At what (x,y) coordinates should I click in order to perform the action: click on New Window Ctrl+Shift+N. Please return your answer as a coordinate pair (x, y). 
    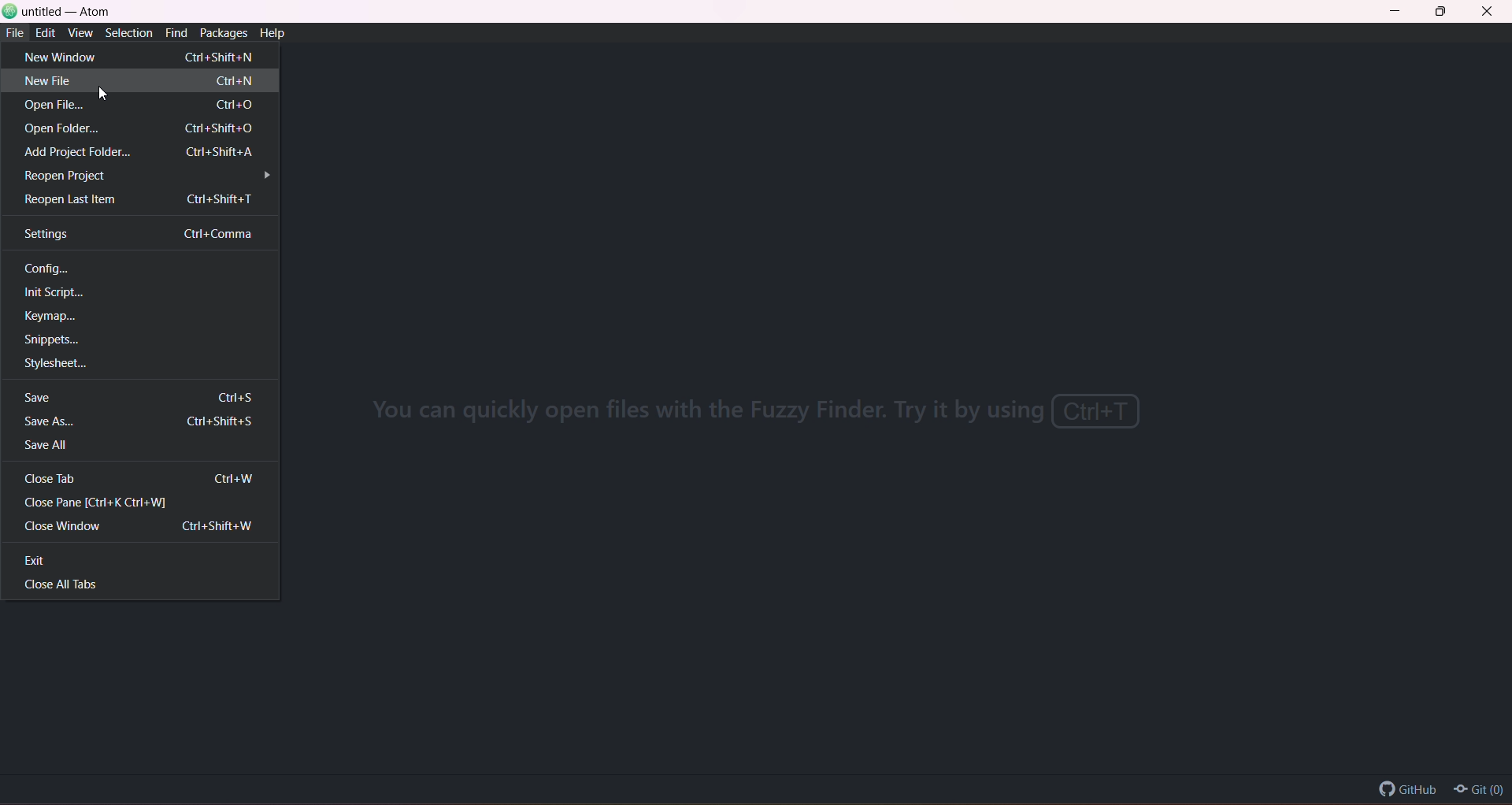
    Looking at the image, I should click on (144, 57).